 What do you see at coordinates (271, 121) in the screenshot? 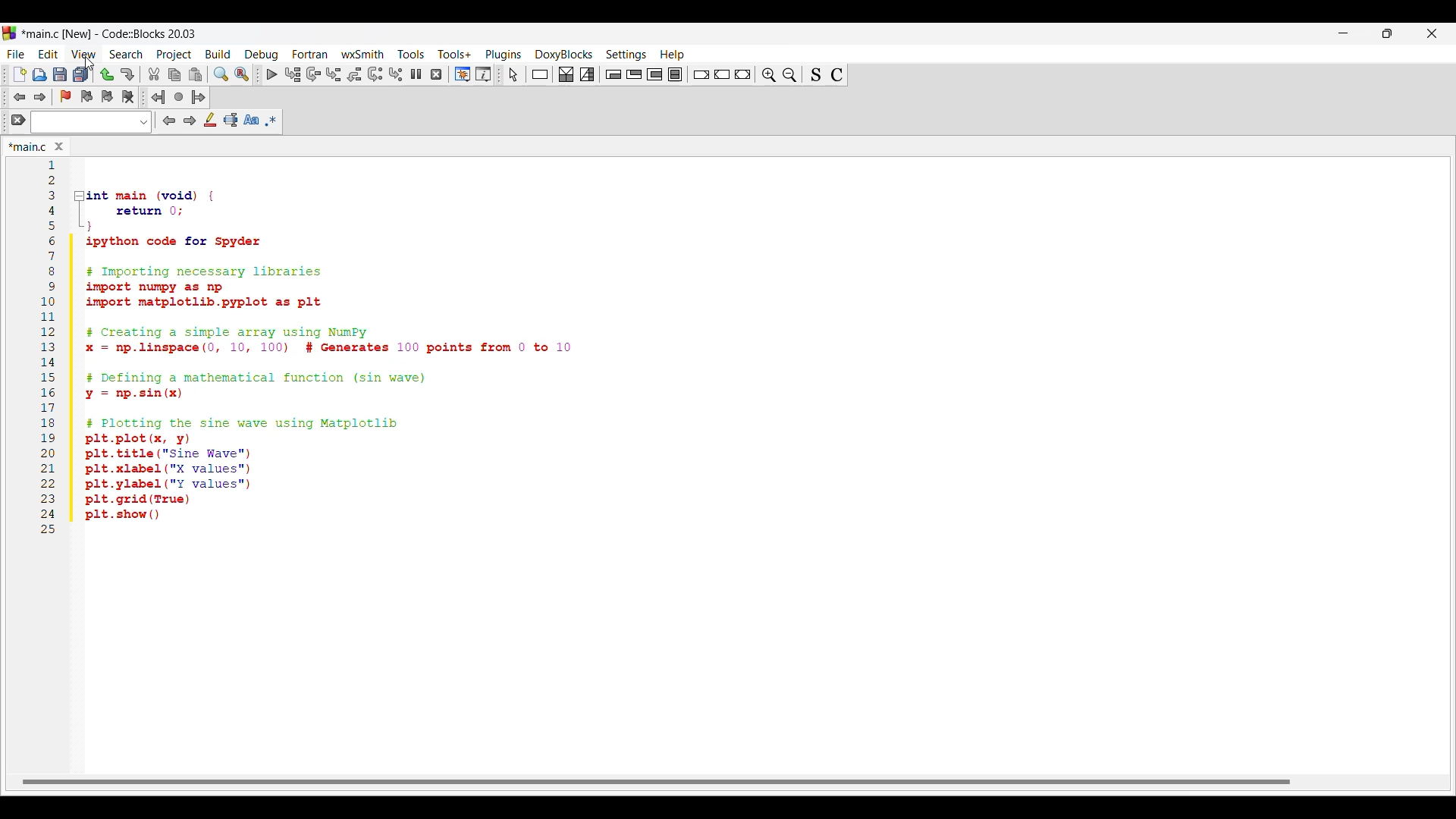
I see `Use regex` at bounding box center [271, 121].